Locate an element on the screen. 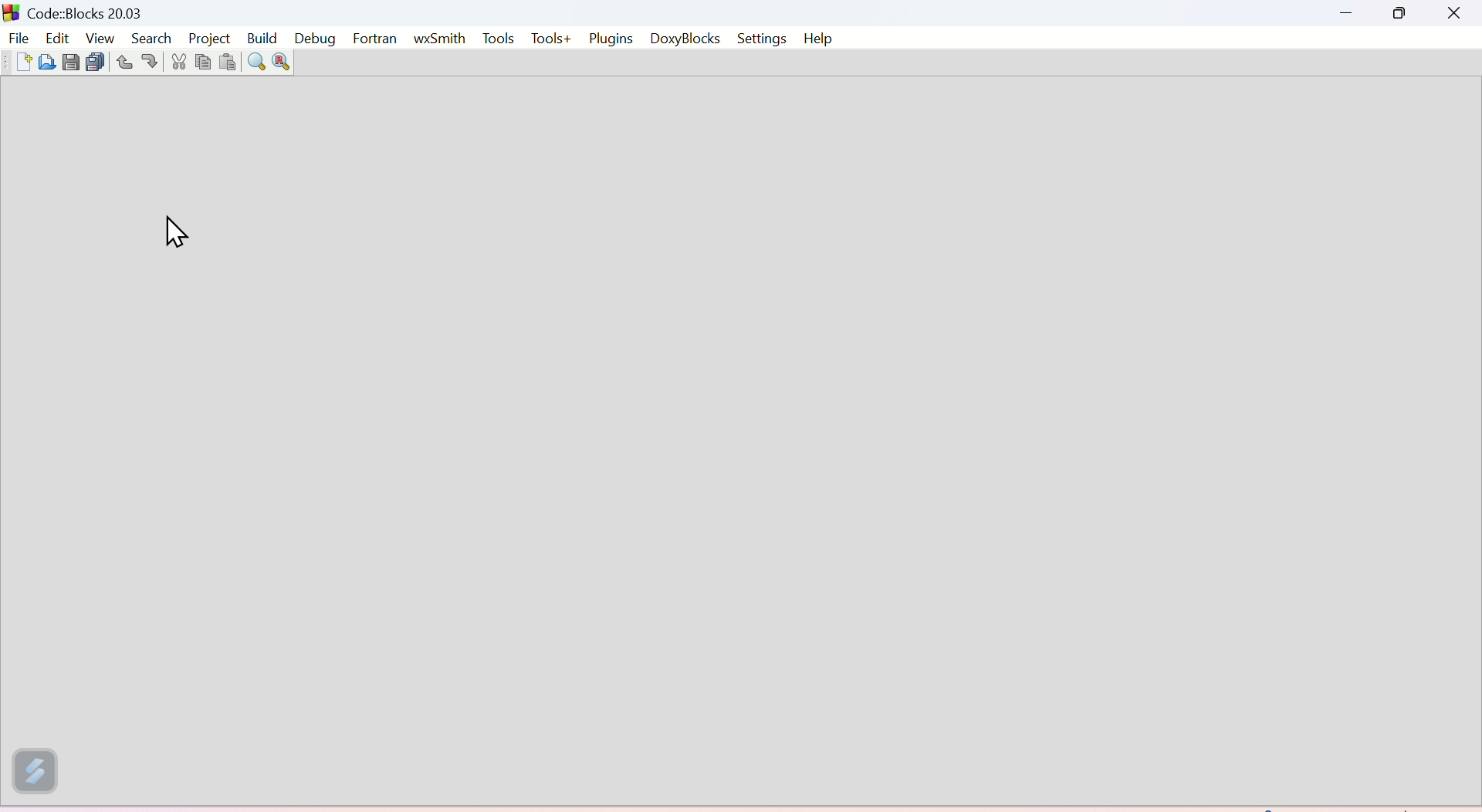  Replace is located at coordinates (281, 62).